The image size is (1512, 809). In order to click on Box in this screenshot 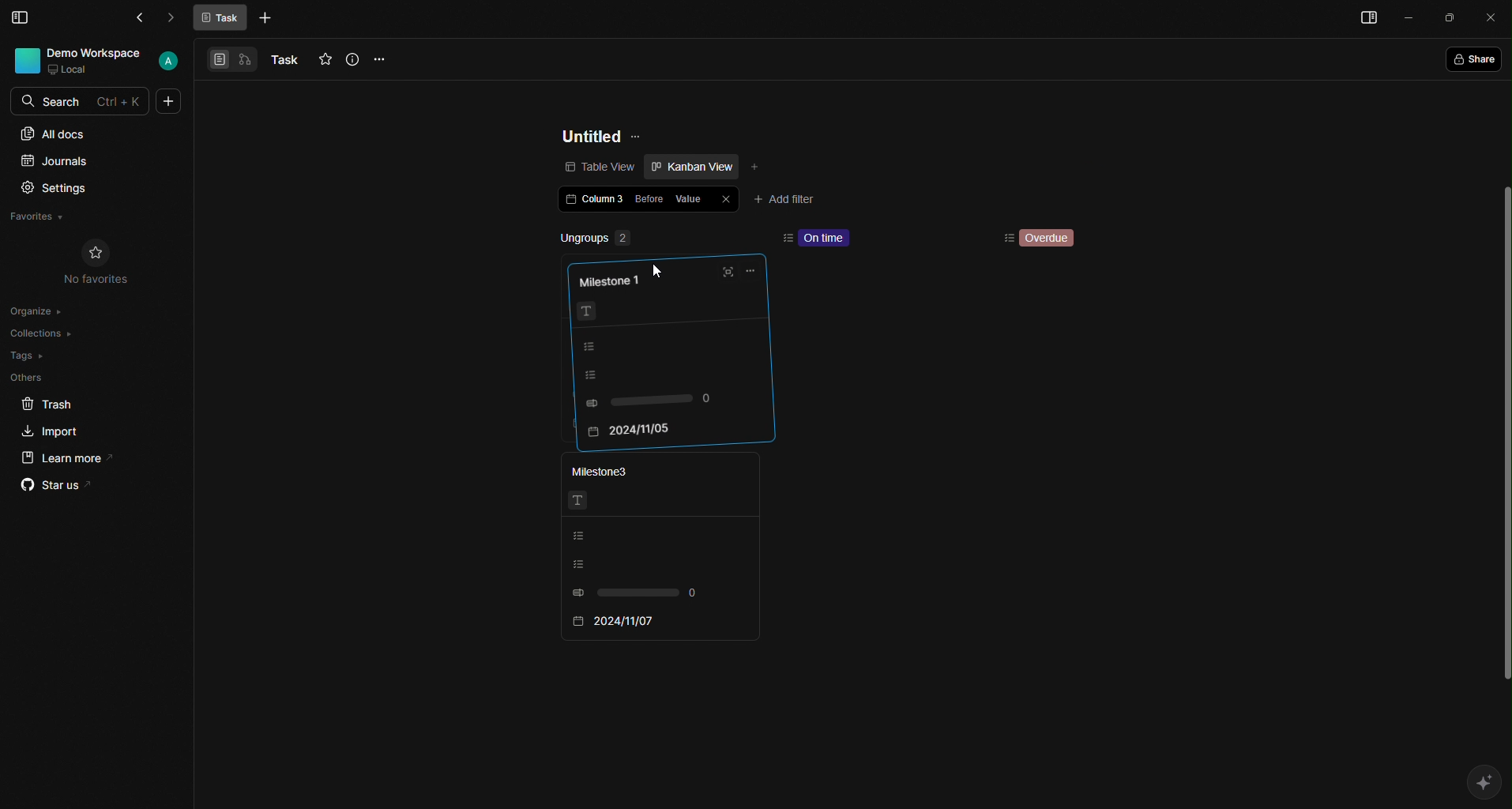, I will do `click(1450, 17)`.